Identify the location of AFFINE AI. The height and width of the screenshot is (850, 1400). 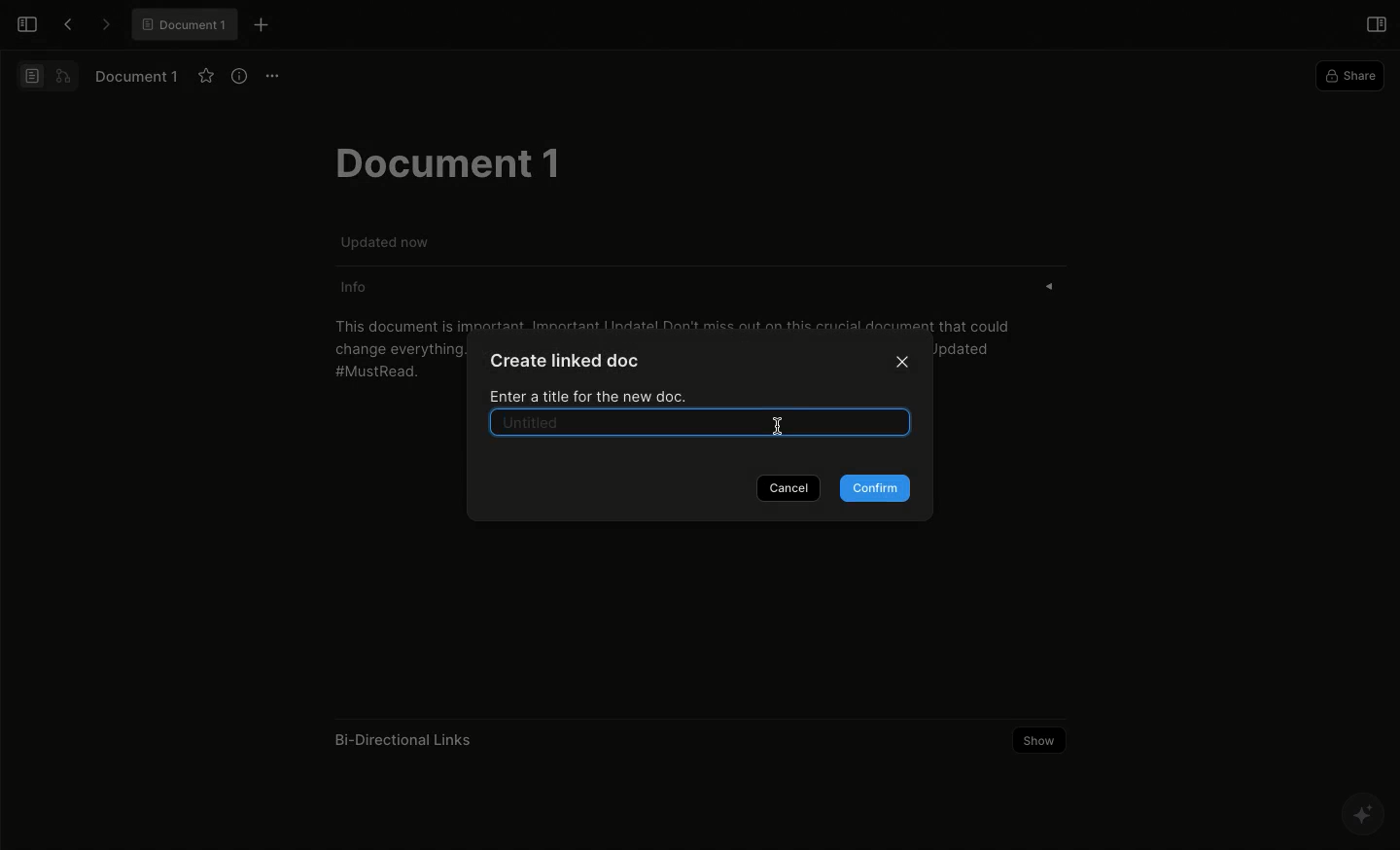
(1360, 815).